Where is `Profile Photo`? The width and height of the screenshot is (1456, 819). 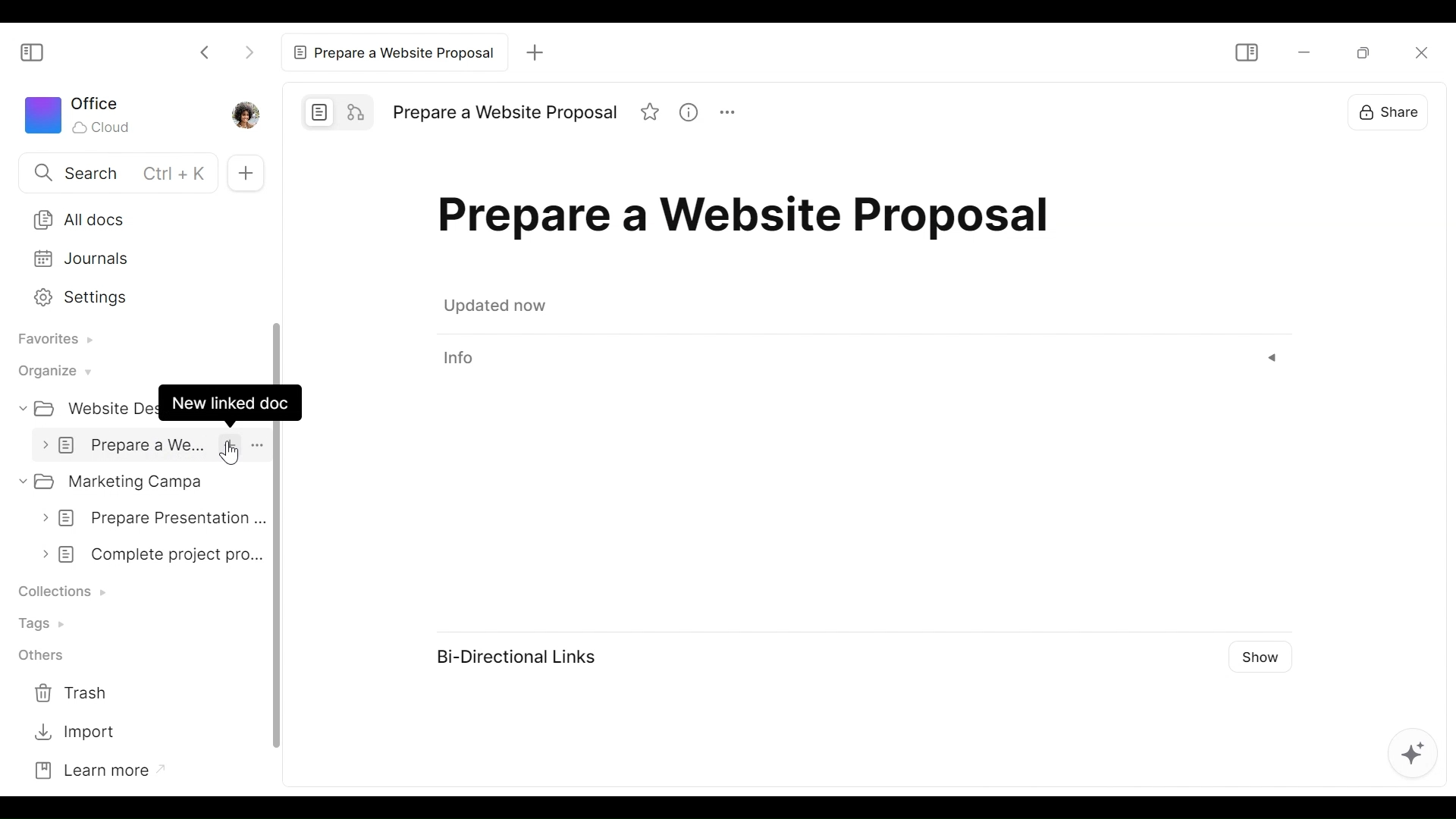 Profile Photo is located at coordinates (244, 114).